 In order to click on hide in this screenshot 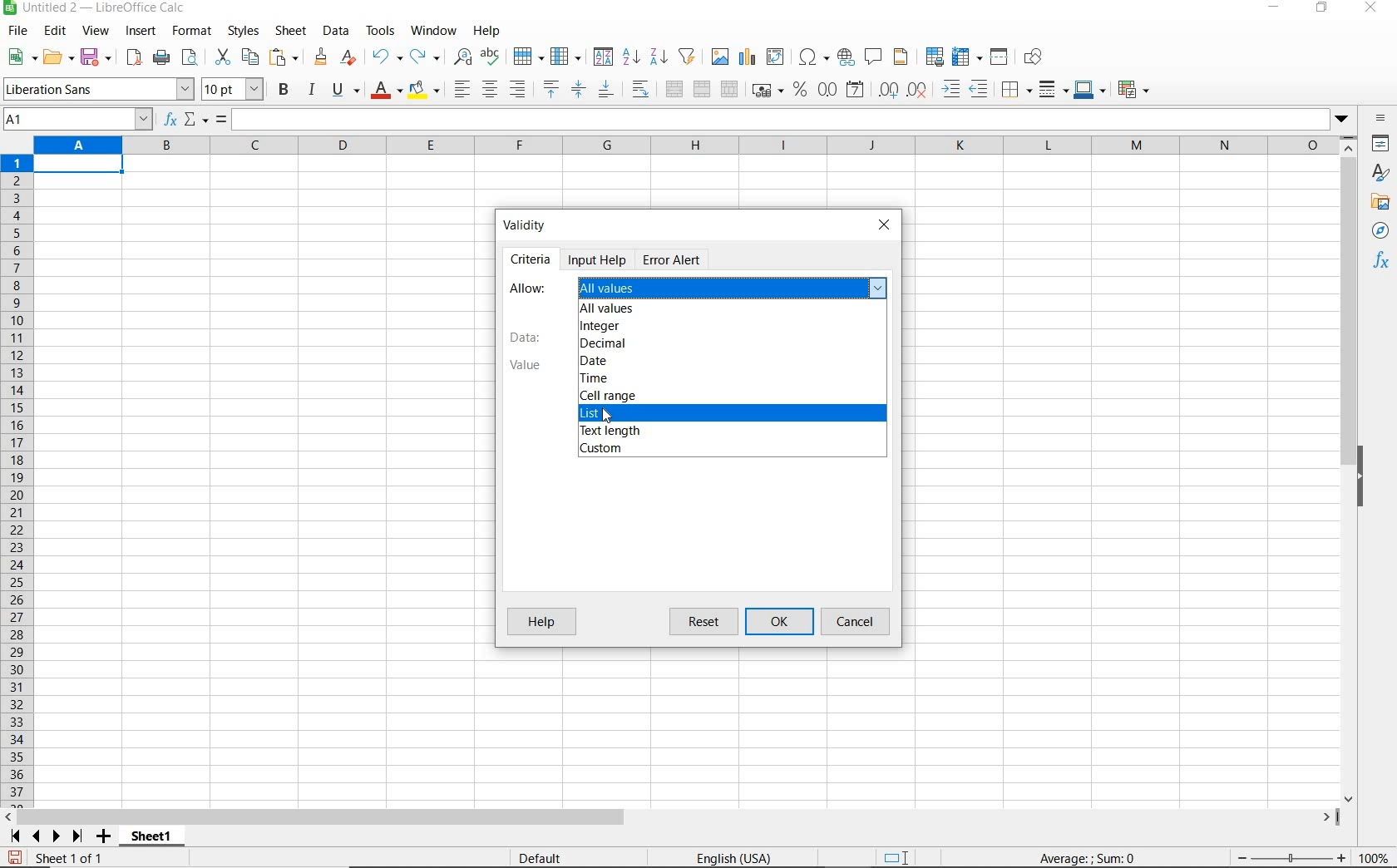, I will do `click(1362, 479)`.